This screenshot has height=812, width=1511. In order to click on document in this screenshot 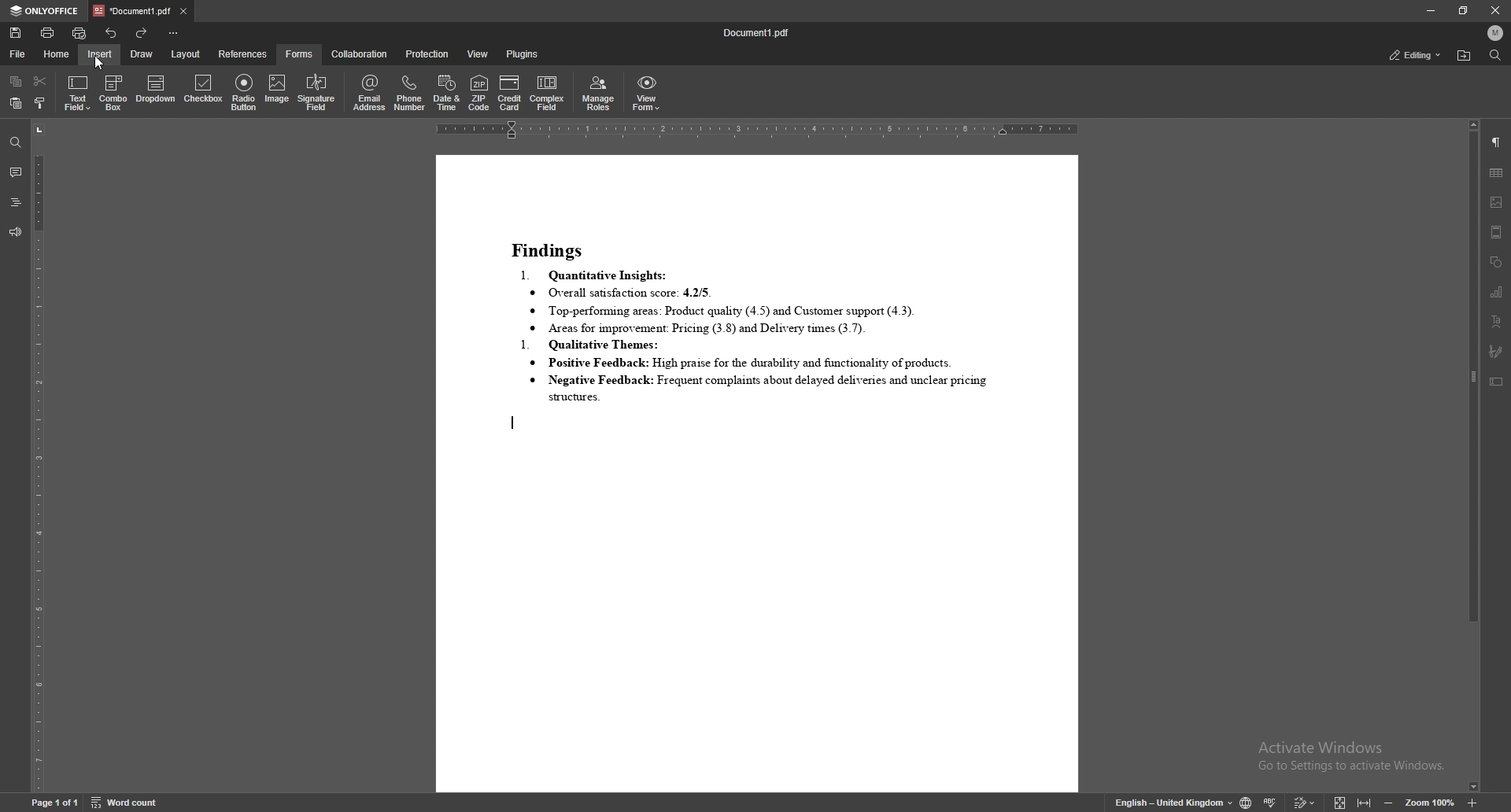, I will do `click(758, 473)`.